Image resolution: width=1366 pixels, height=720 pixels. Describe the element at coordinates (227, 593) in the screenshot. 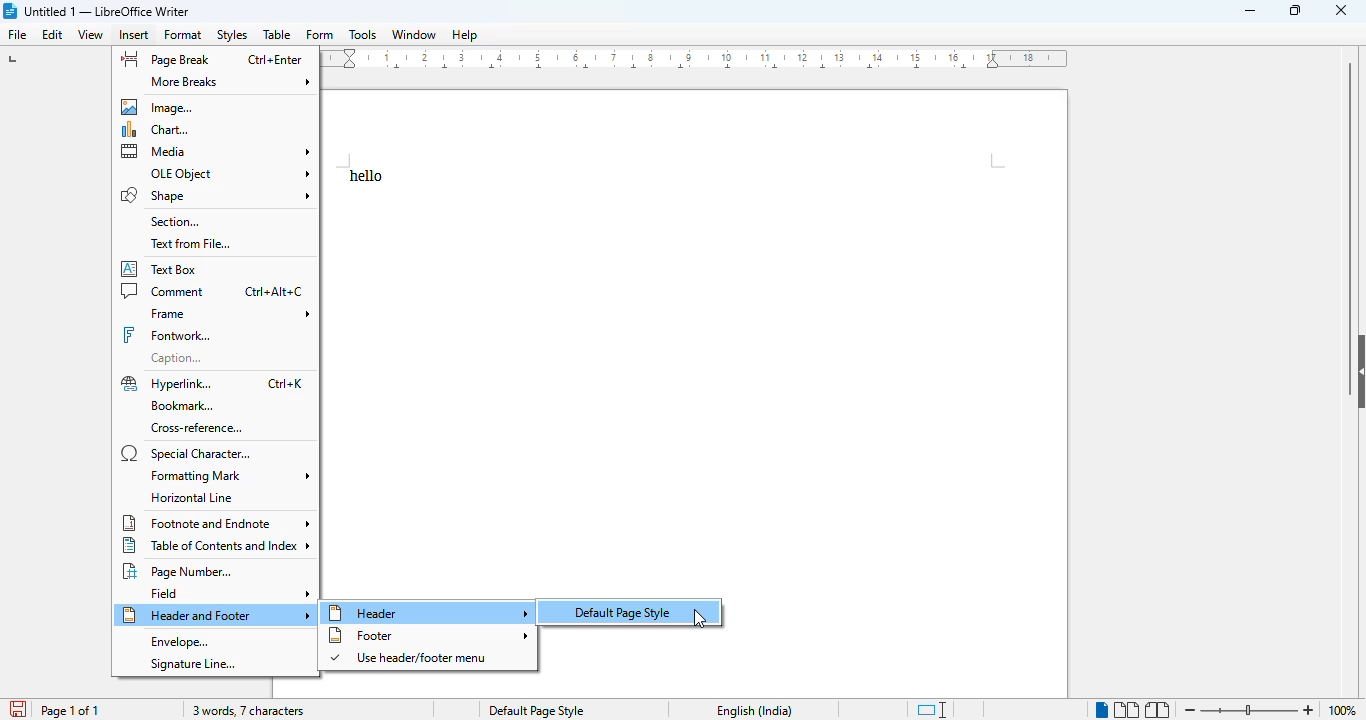

I see `field` at that location.